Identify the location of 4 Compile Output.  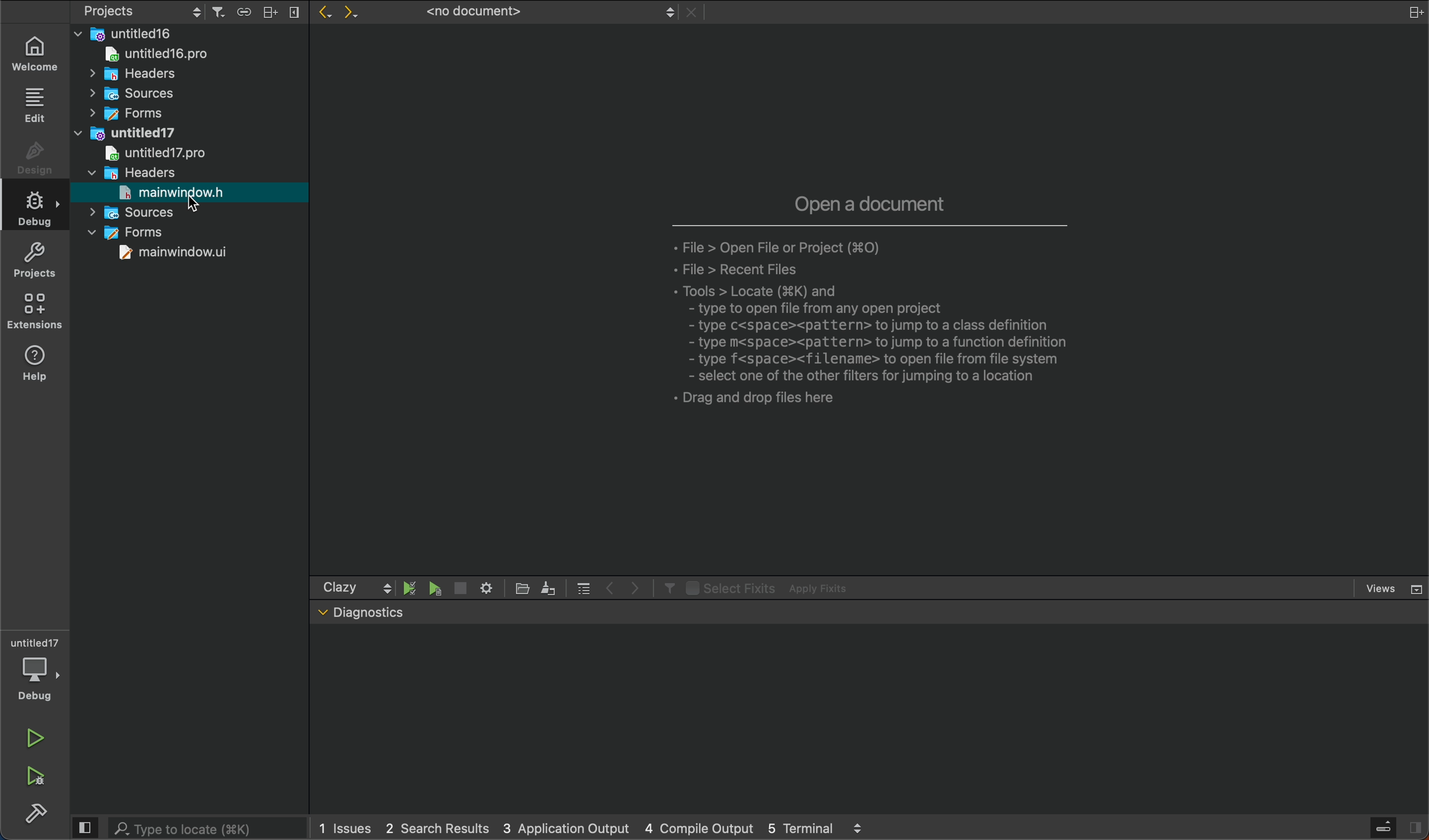
(699, 827).